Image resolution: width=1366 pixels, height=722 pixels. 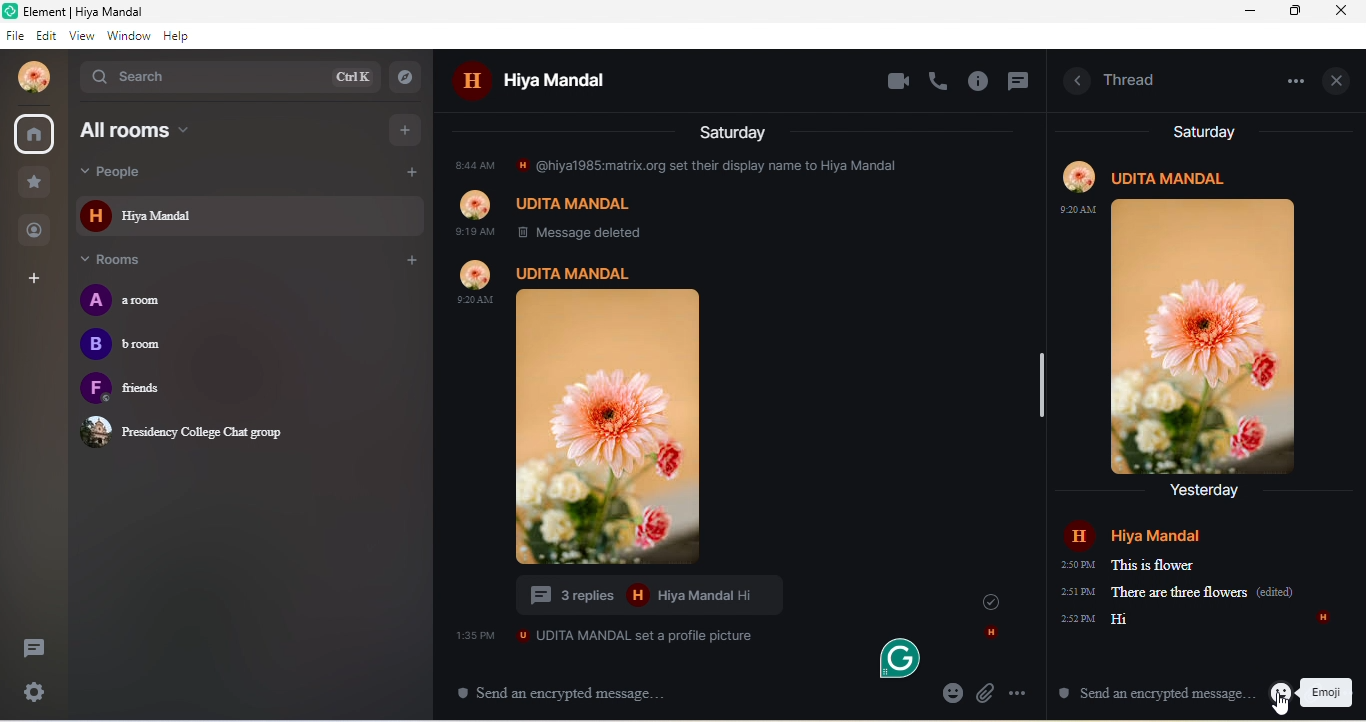 I want to click on account, so click(x=33, y=77).